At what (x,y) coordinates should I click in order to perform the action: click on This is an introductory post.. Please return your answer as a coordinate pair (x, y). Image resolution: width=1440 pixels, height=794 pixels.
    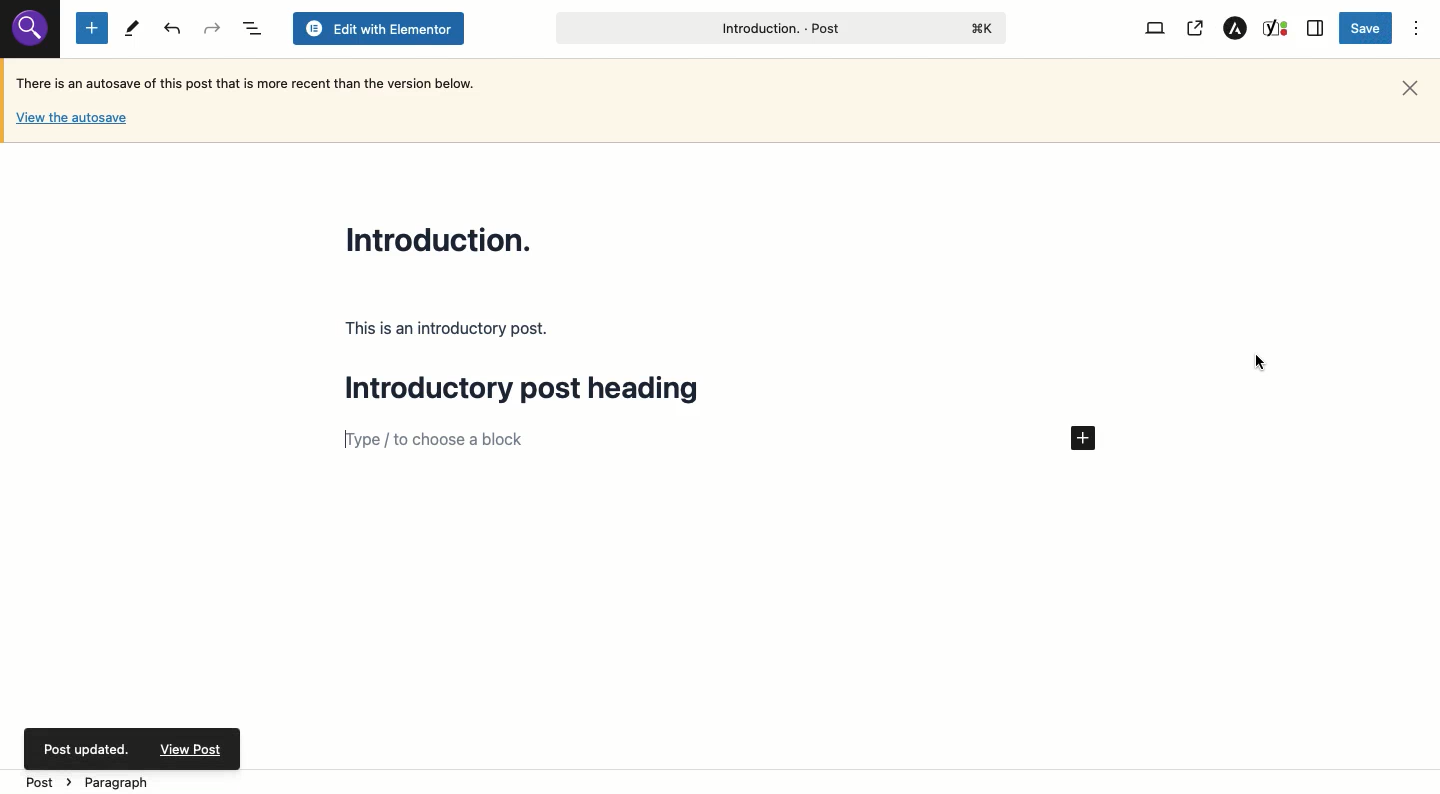
    Looking at the image, I should click on (448, 329).